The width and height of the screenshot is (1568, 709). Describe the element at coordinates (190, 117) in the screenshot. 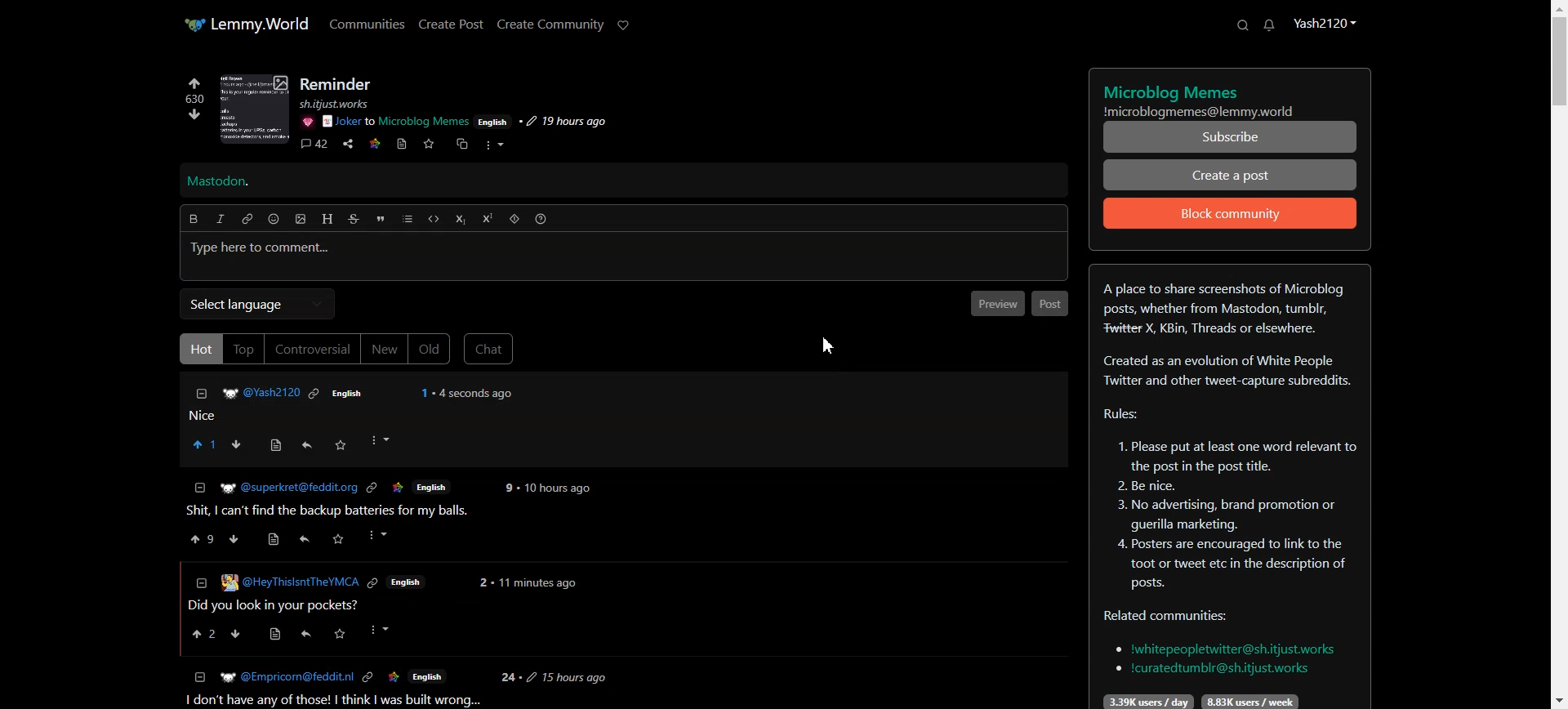

I see `Down vote` at that location.